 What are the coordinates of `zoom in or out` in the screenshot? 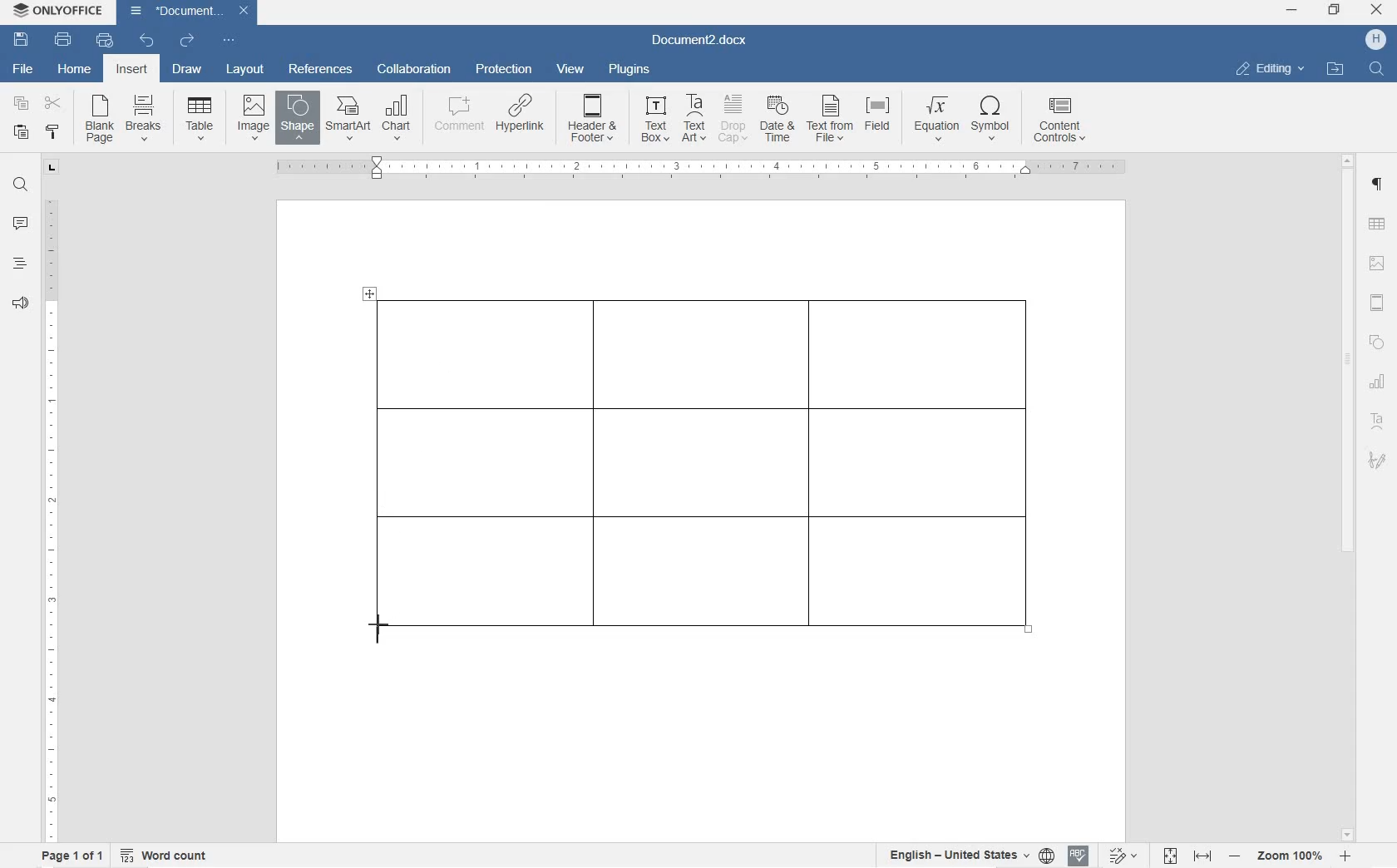 It's located at (1291, 856).